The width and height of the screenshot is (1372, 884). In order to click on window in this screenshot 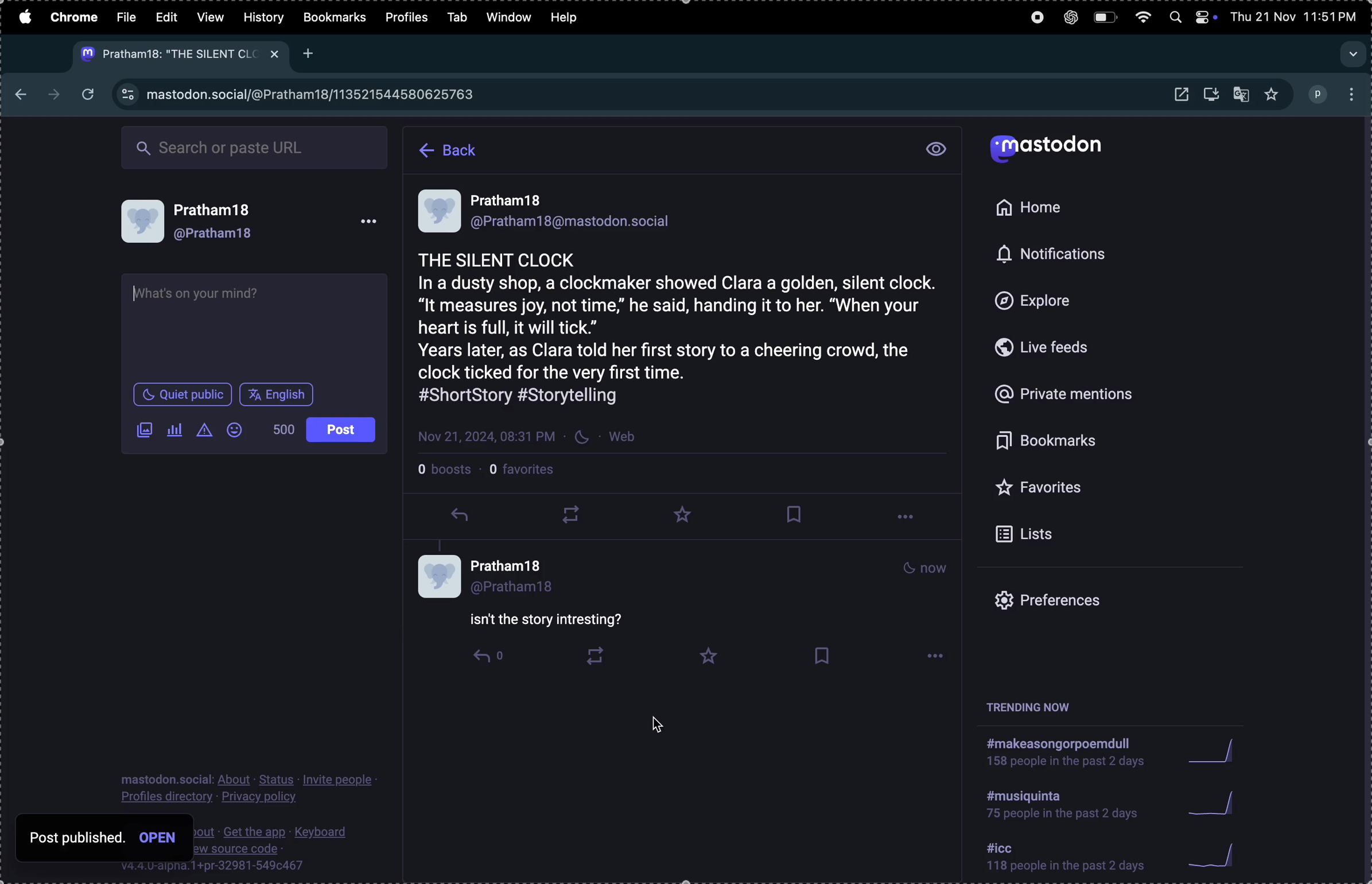, I will do `click(510, 17)`.